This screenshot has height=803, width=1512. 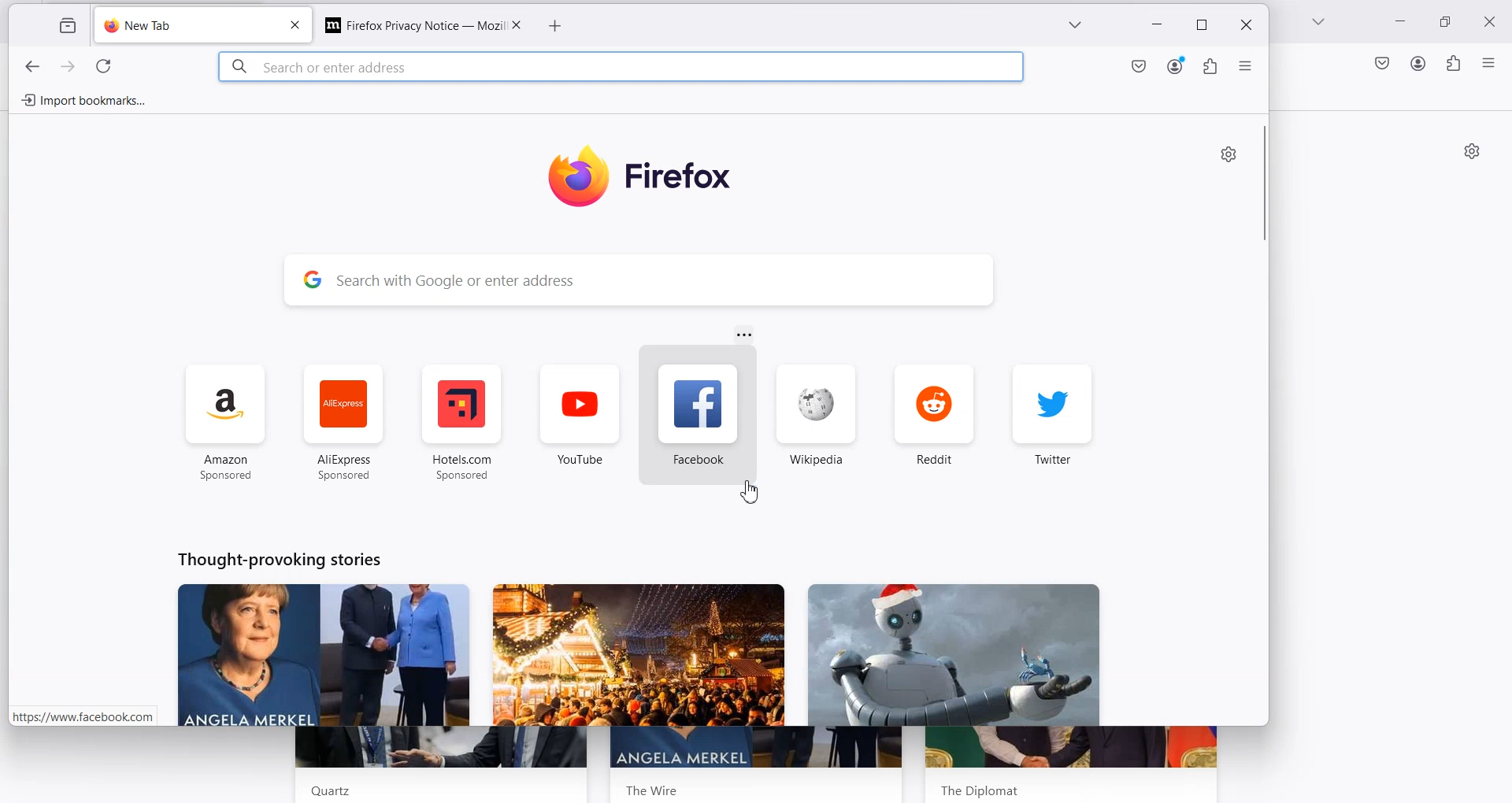 What do you see at coordinates (1175, 68) in the screenshot?
I see `account` at bounding box center [1175, 68].